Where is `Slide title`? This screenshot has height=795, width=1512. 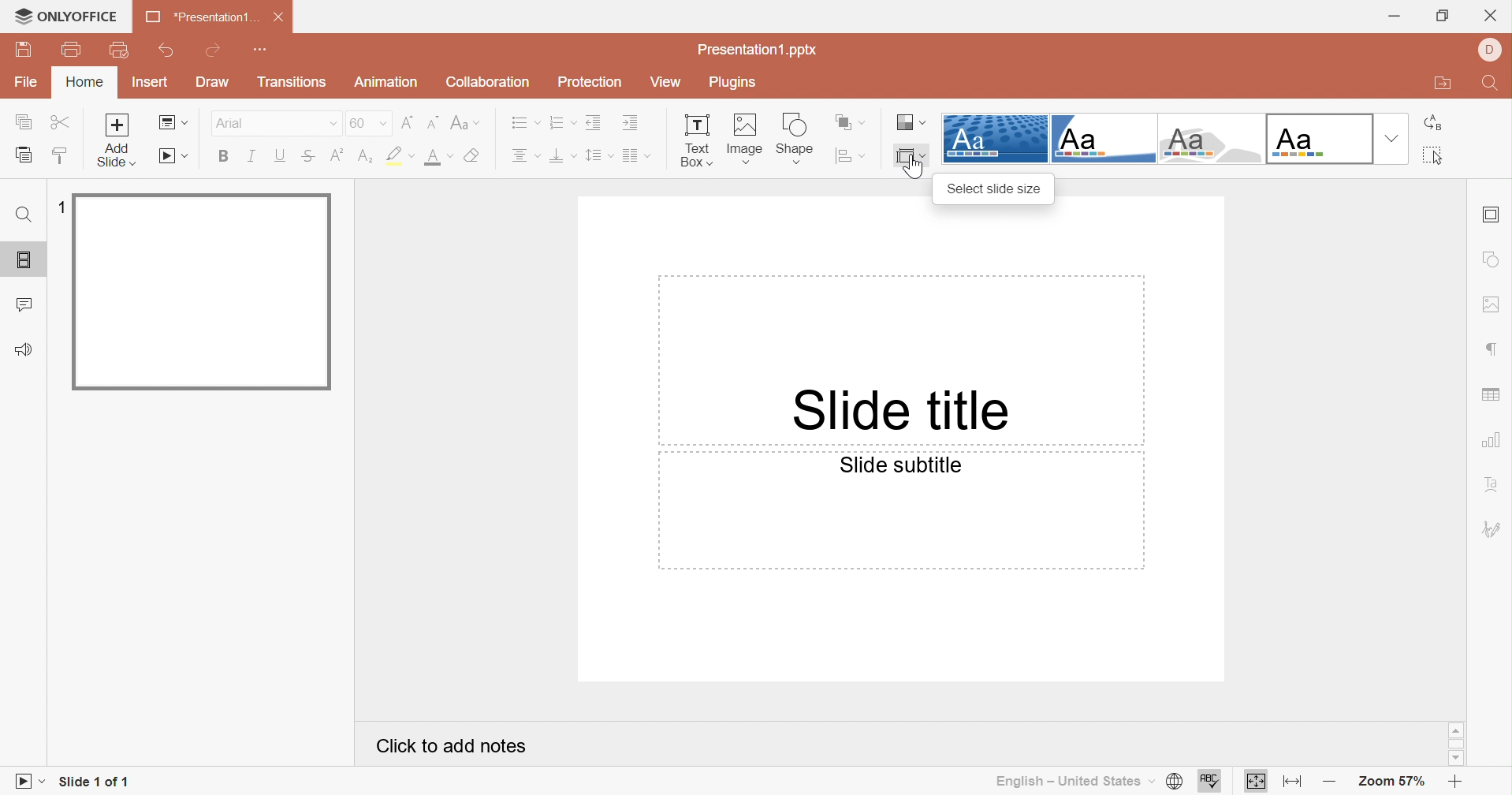
Slide title is located at coordinates (897, 412).